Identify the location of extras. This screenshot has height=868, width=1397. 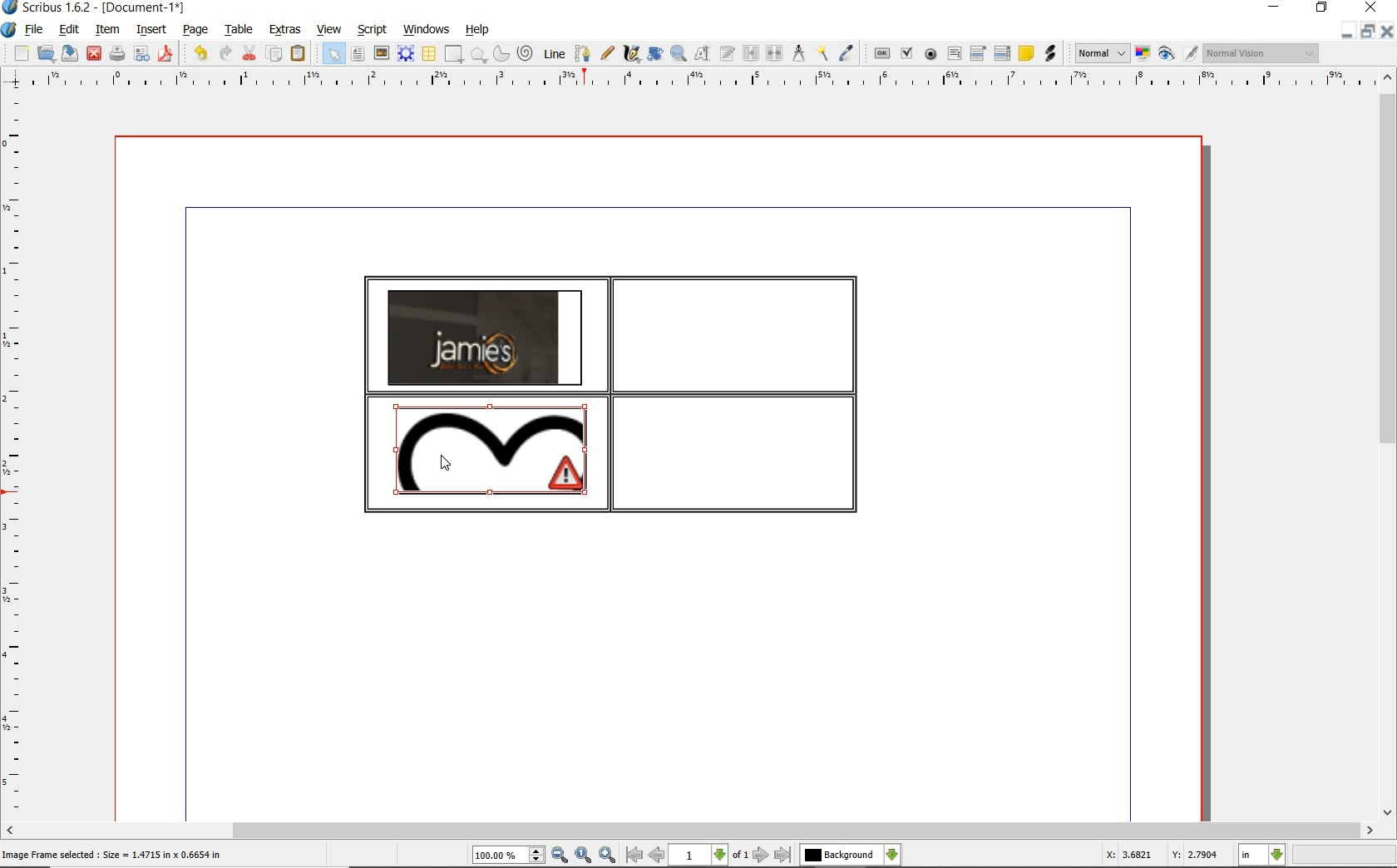
(285, 30).